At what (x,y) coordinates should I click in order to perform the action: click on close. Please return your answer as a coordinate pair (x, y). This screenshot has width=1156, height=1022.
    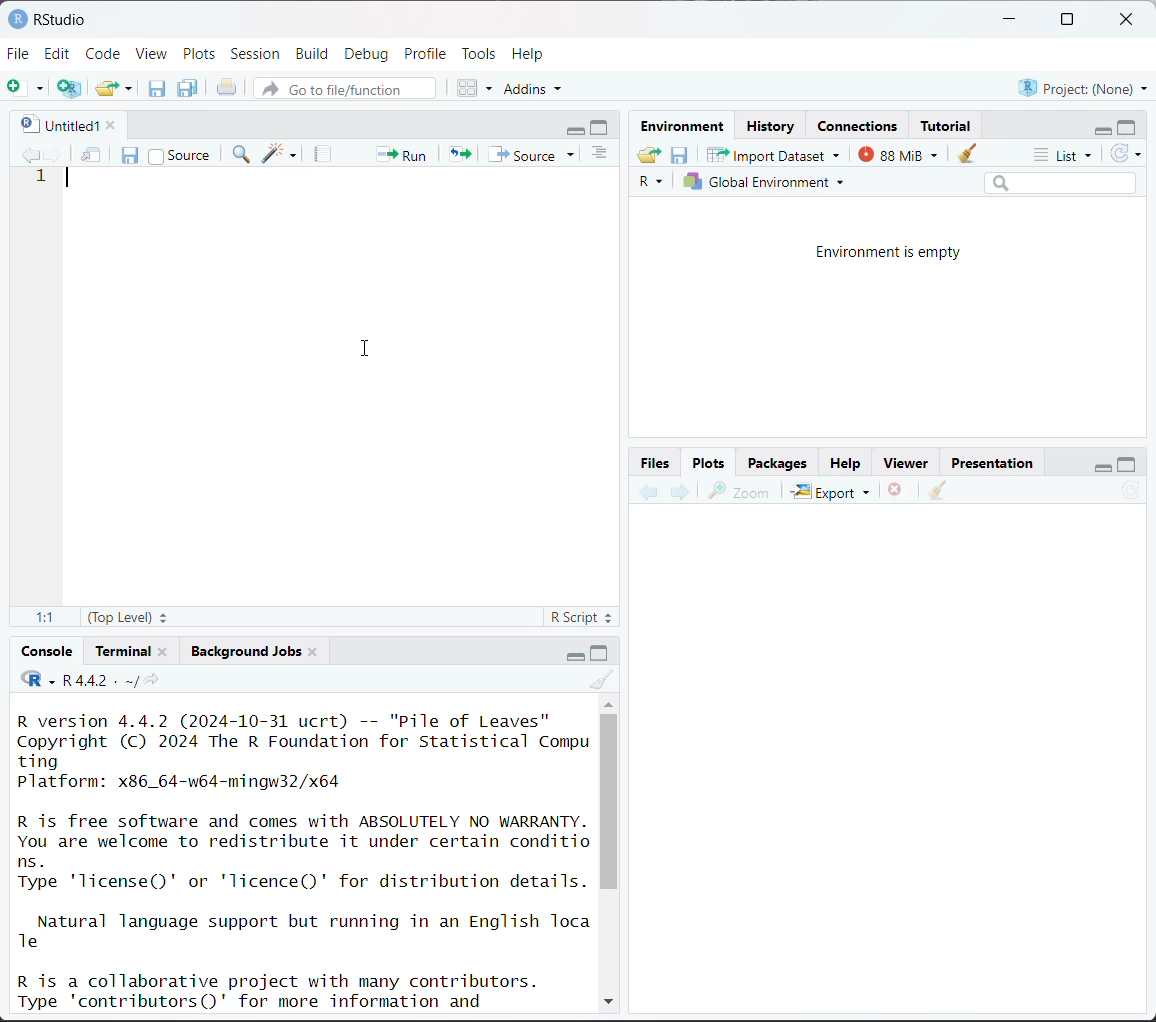
    Looking at the image, I should click on (1130, 20).